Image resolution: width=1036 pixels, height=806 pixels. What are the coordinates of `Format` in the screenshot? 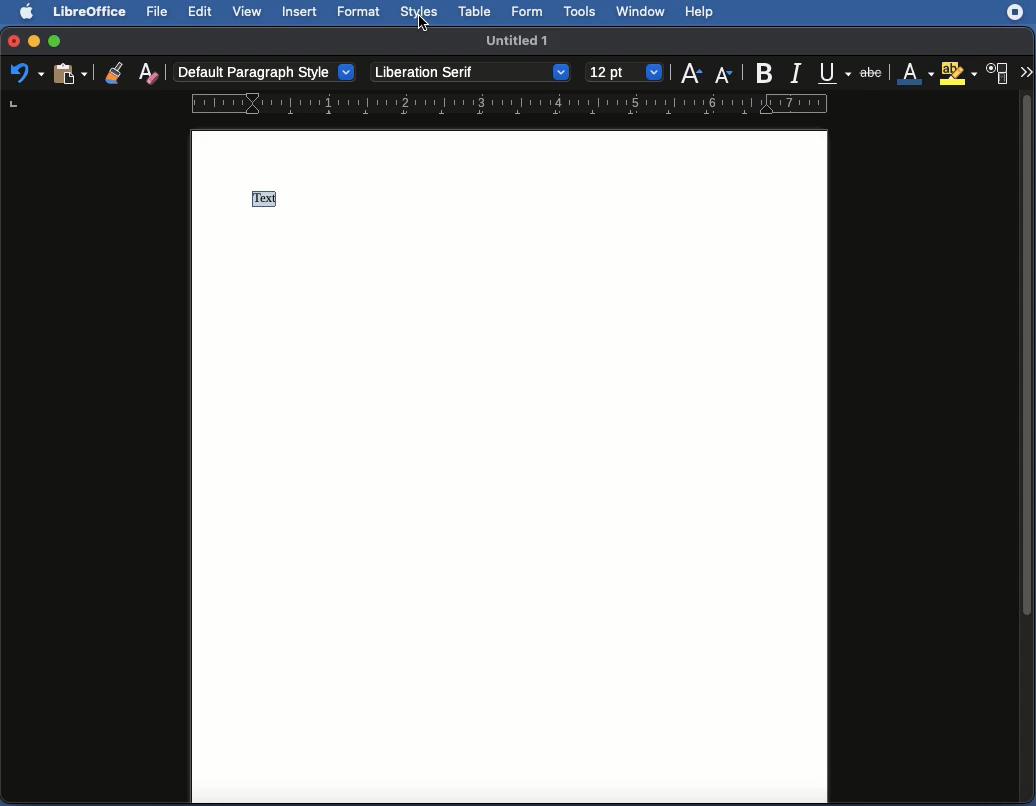 It's located at (361, 13).